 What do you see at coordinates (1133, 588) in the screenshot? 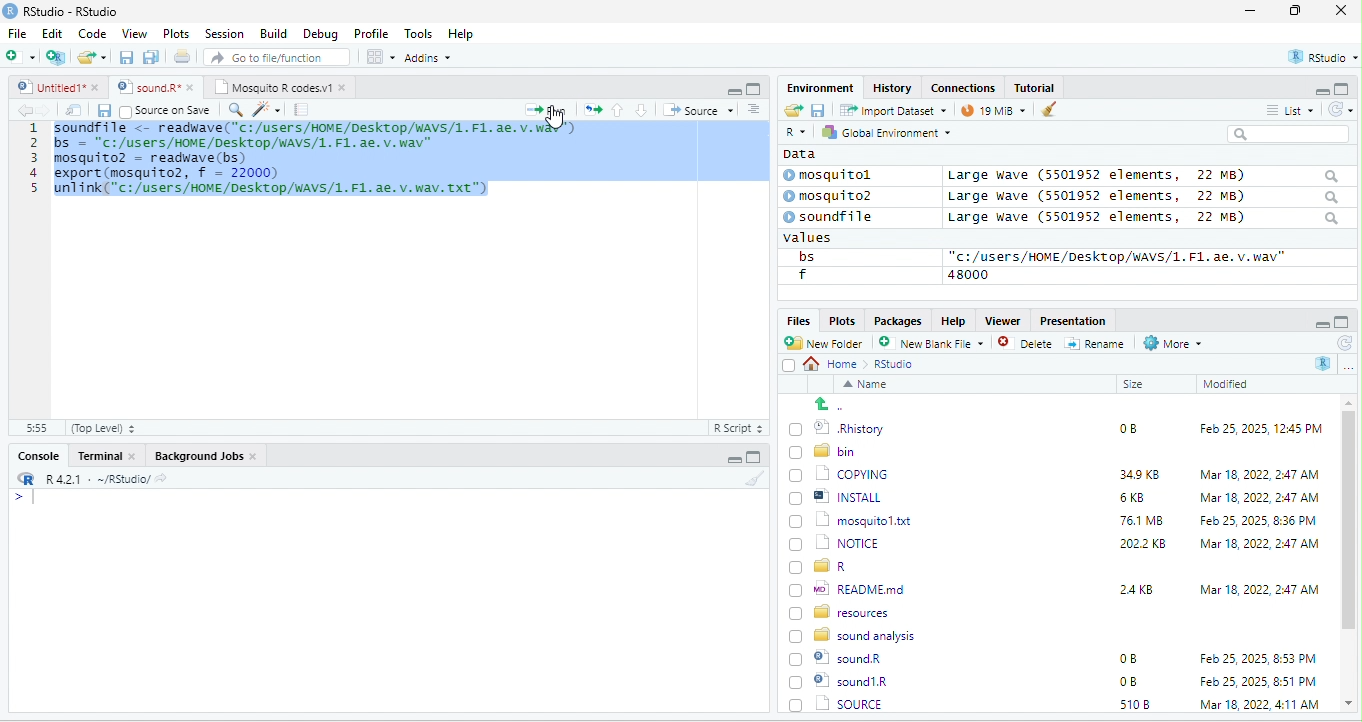
I see `24KB` at bounding box center [1133, 588].